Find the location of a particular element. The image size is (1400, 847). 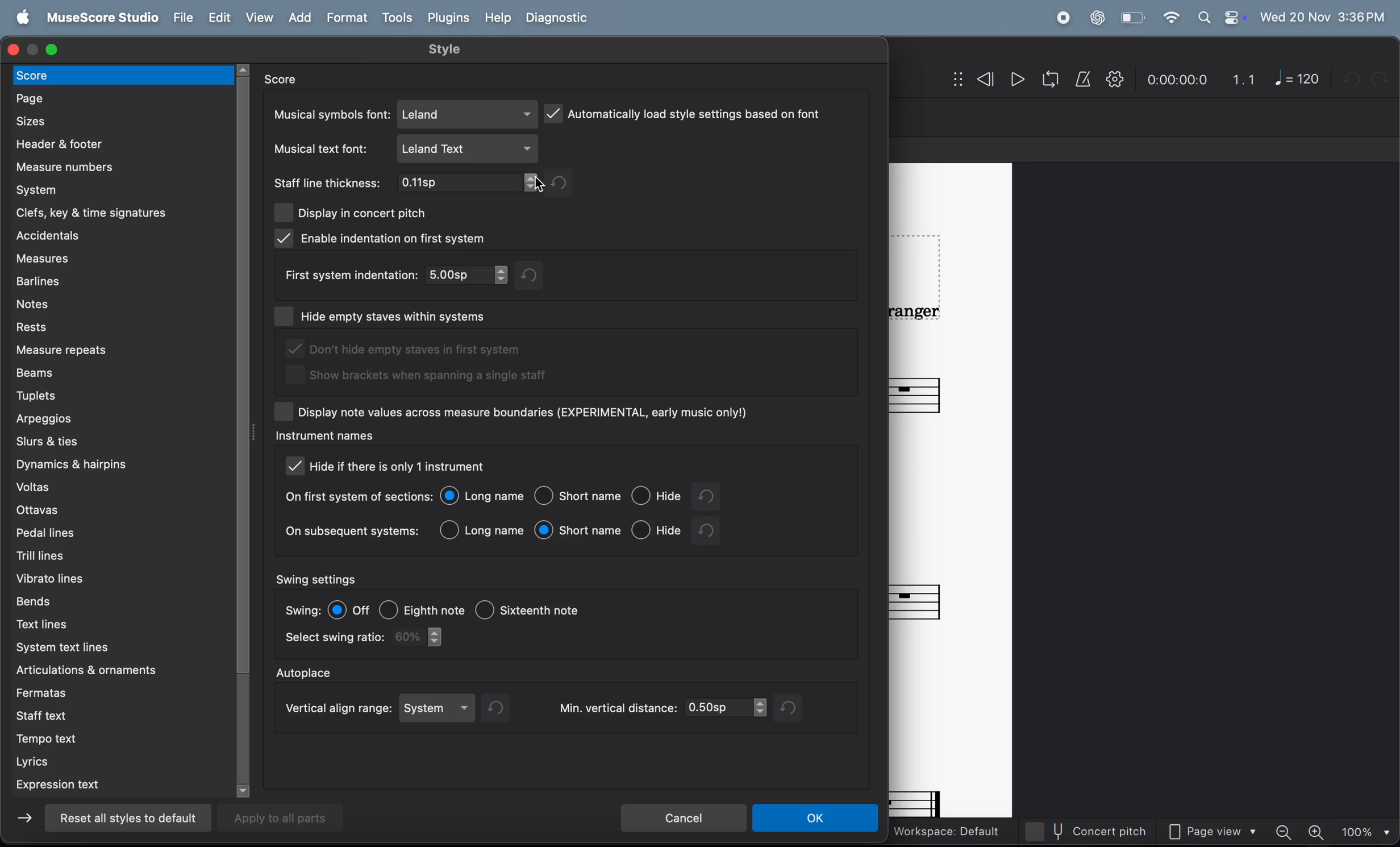

add is located at coordinates (304, 18).